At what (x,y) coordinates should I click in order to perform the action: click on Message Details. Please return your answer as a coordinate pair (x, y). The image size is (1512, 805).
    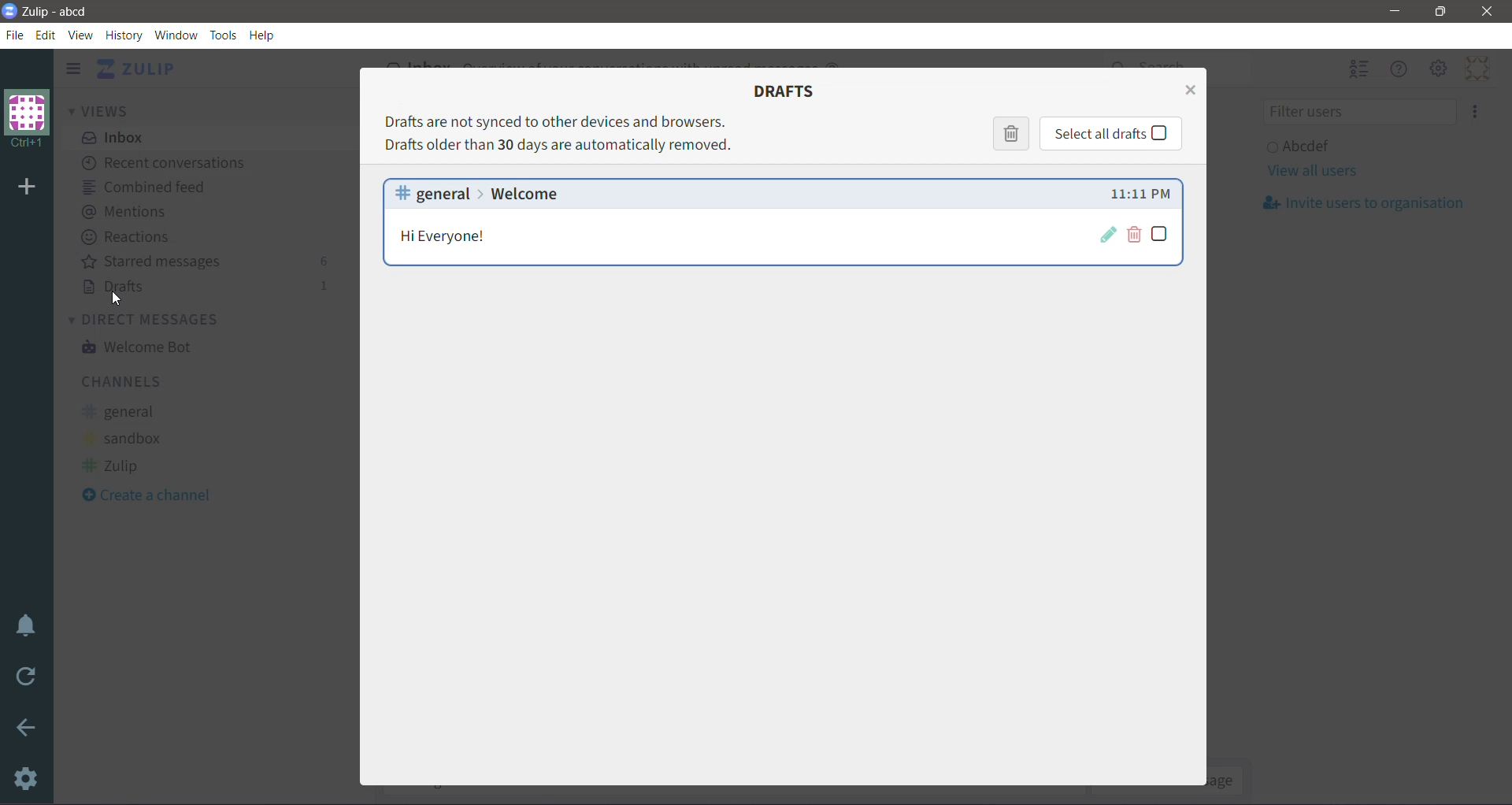
    Looking at the image, I should click on (461, 237).